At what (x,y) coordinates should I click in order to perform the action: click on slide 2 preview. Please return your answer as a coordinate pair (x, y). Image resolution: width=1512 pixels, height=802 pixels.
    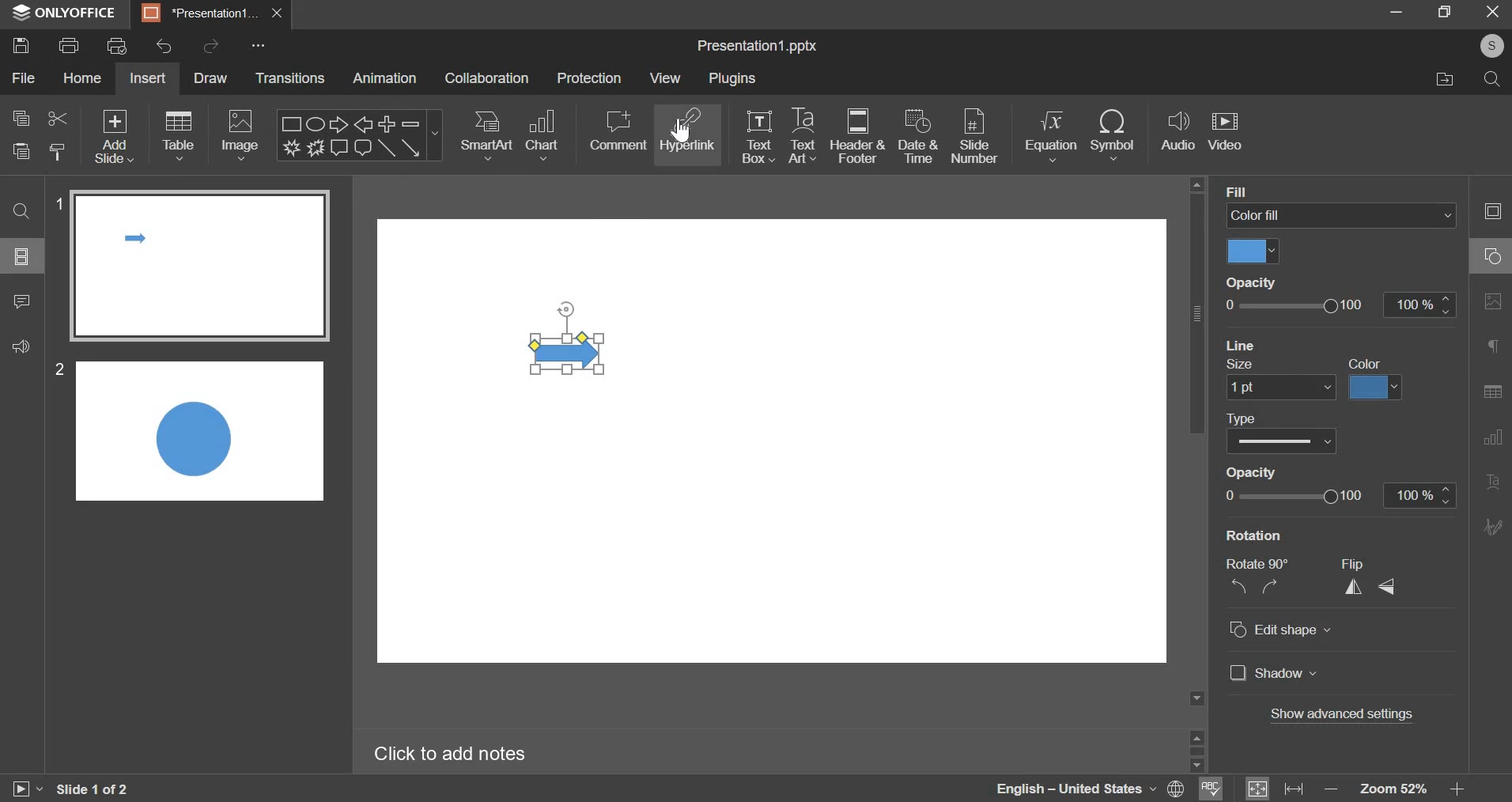
    Looking at the image, I should click on (199, 431).